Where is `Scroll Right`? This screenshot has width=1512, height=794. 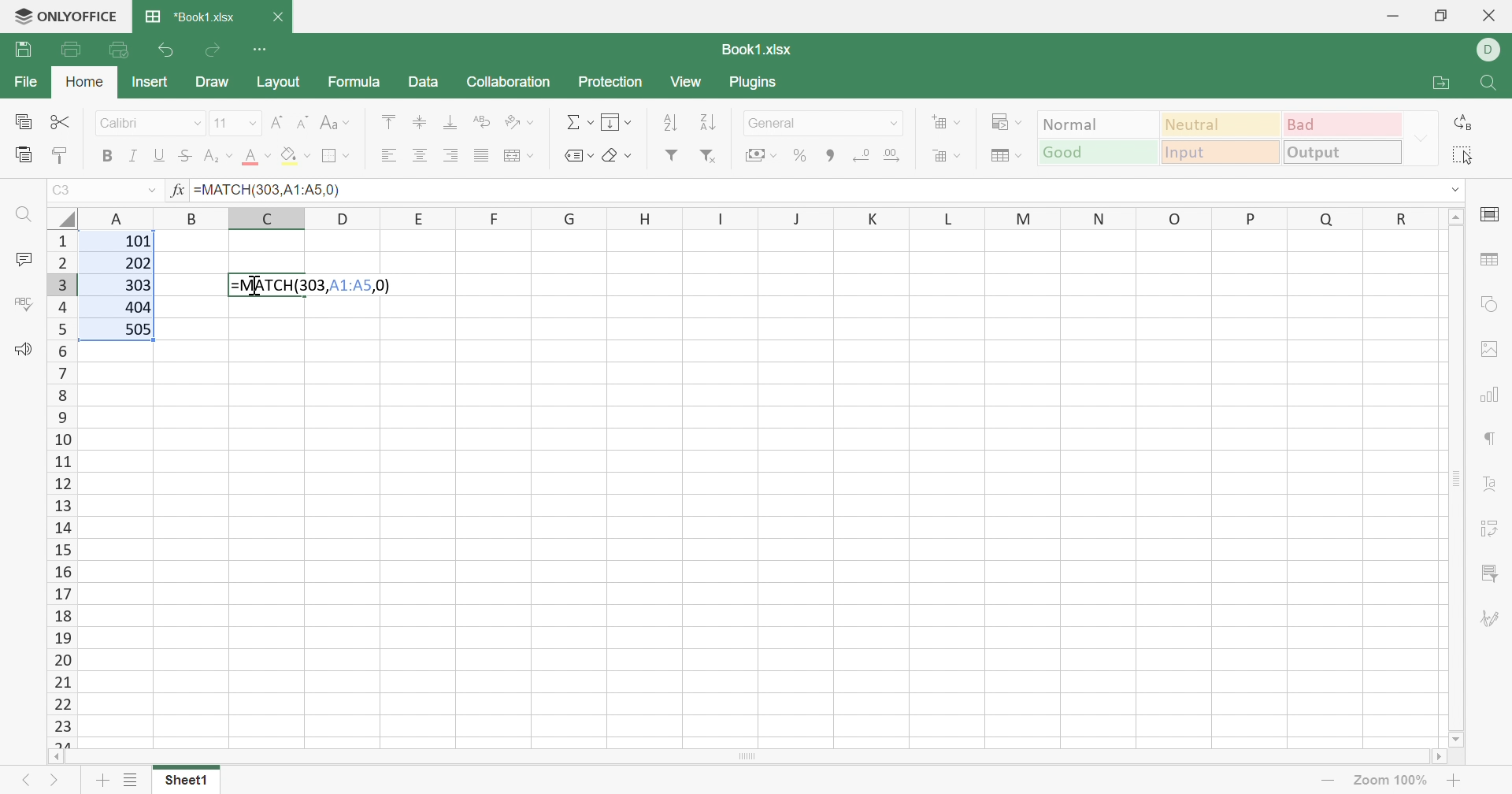
Scroll Right is located at coordinates (1449, 760).